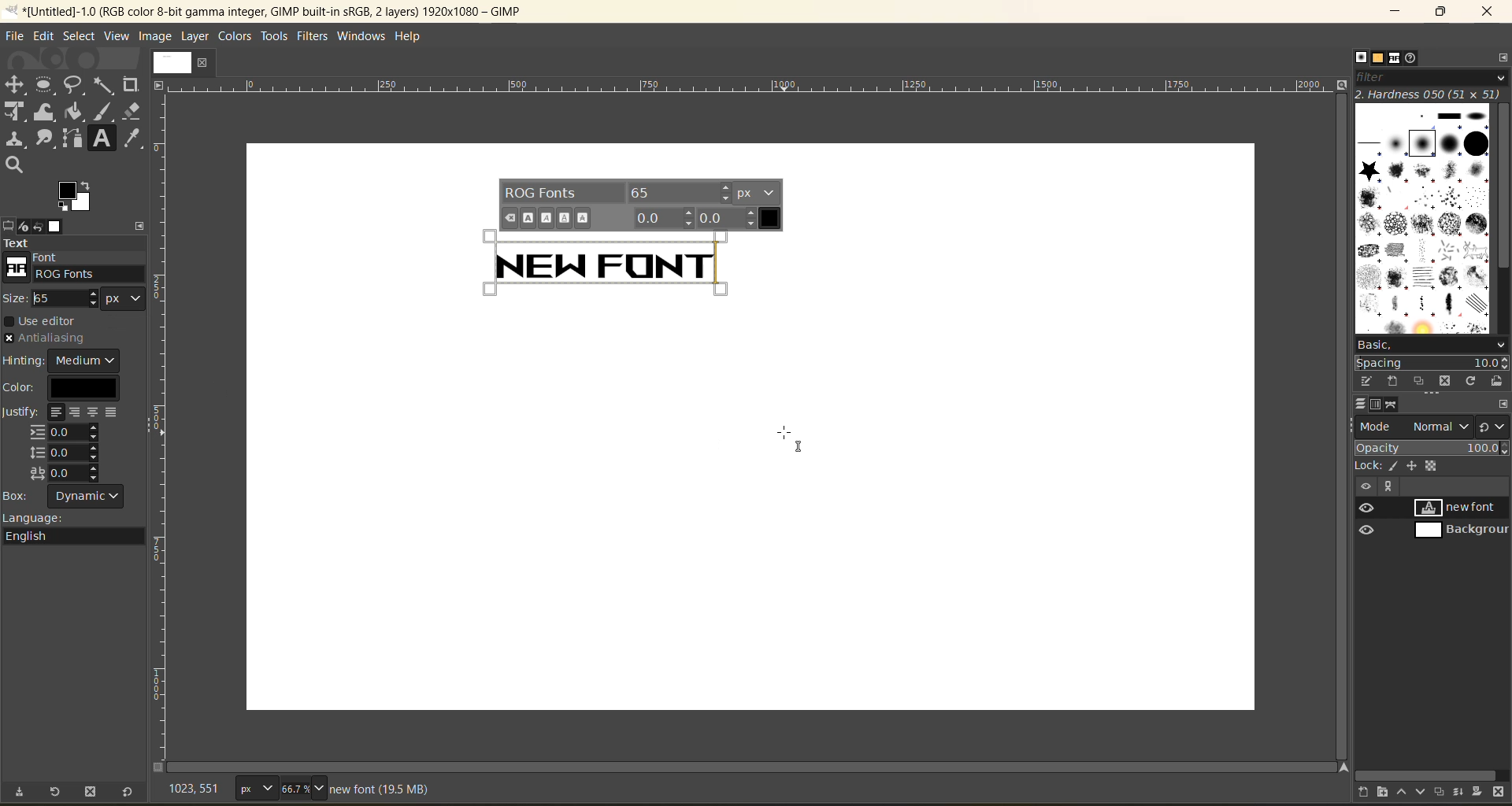  I want to click on delete this layer, so click(1499, 793).